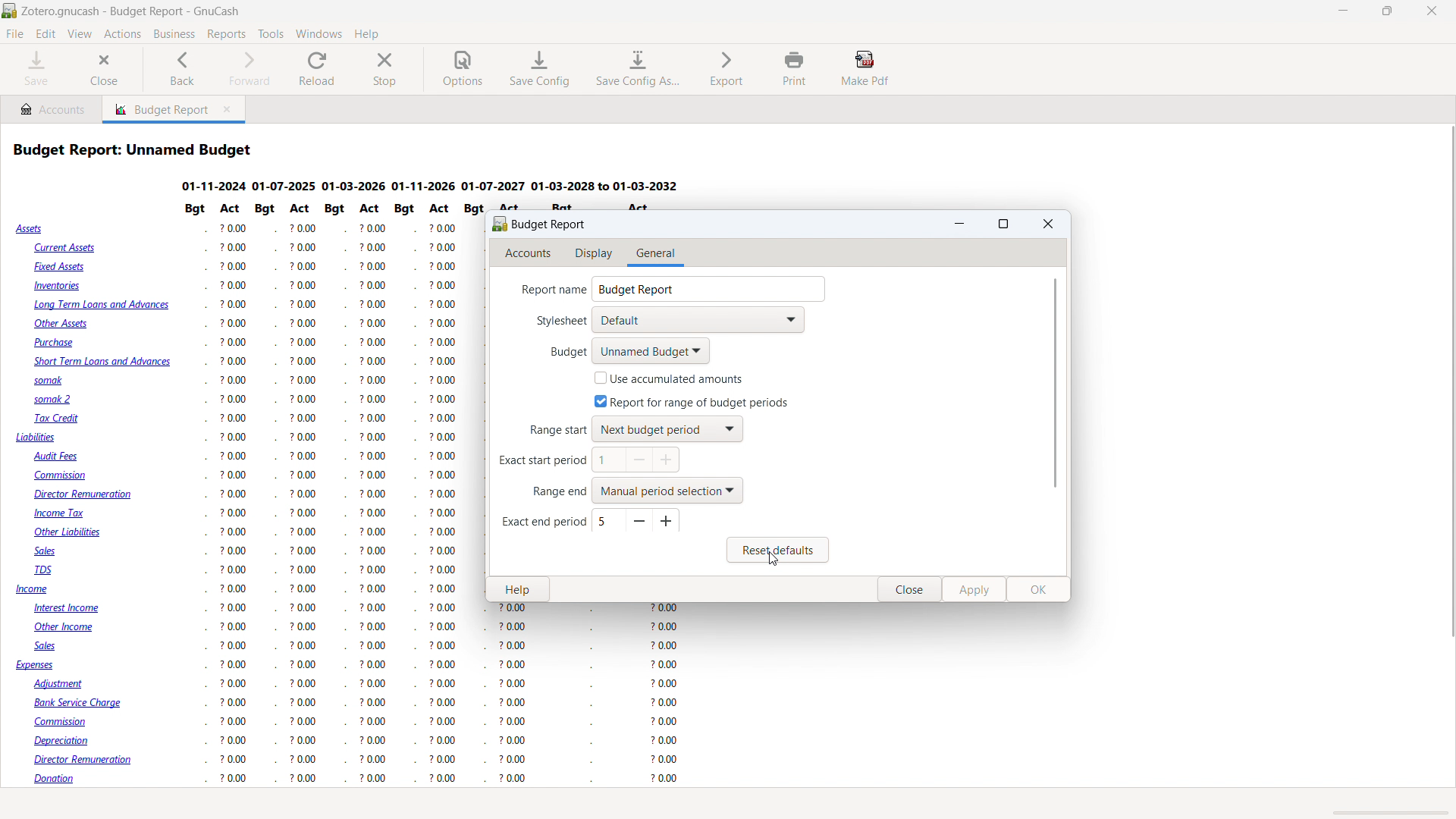  Describe the element at coordinates (555, 493) in the screenshot. I see `Range end` at that location.